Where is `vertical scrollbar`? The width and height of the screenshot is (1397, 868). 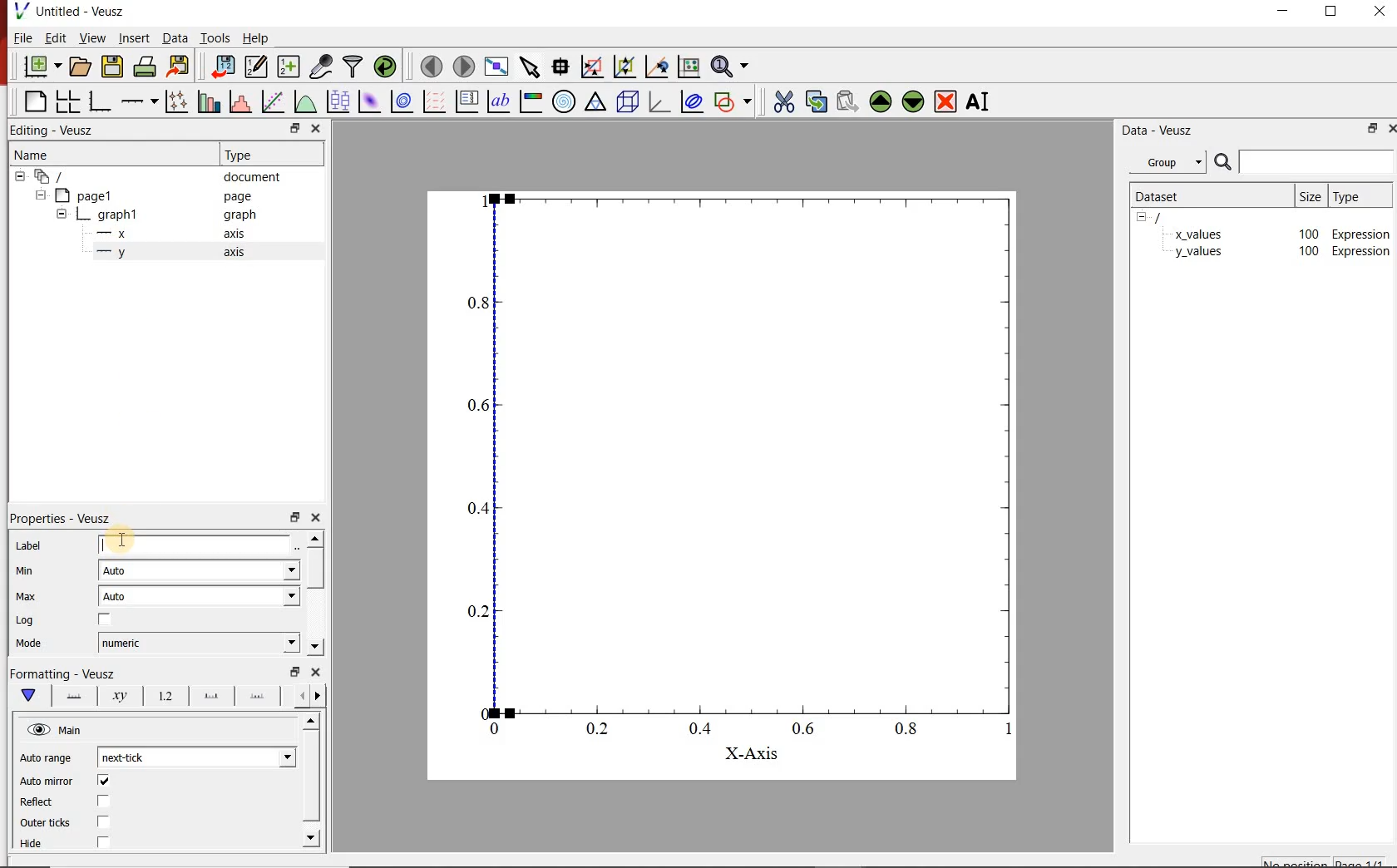
vertical scrollbar is located at coordinates (309, 777).